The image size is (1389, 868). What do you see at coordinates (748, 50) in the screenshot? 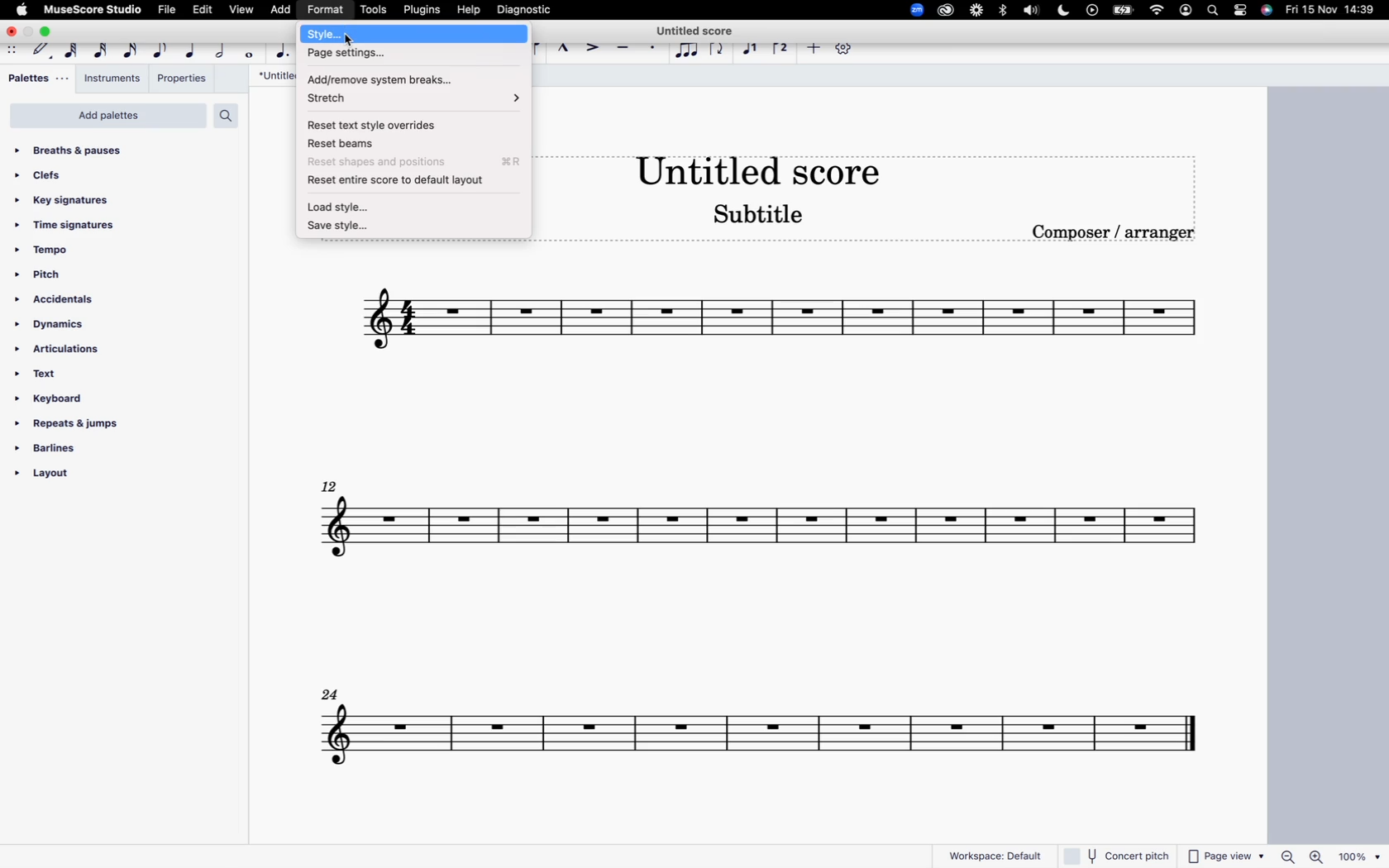
I see `voice 1` at bounding box center [748, 50].